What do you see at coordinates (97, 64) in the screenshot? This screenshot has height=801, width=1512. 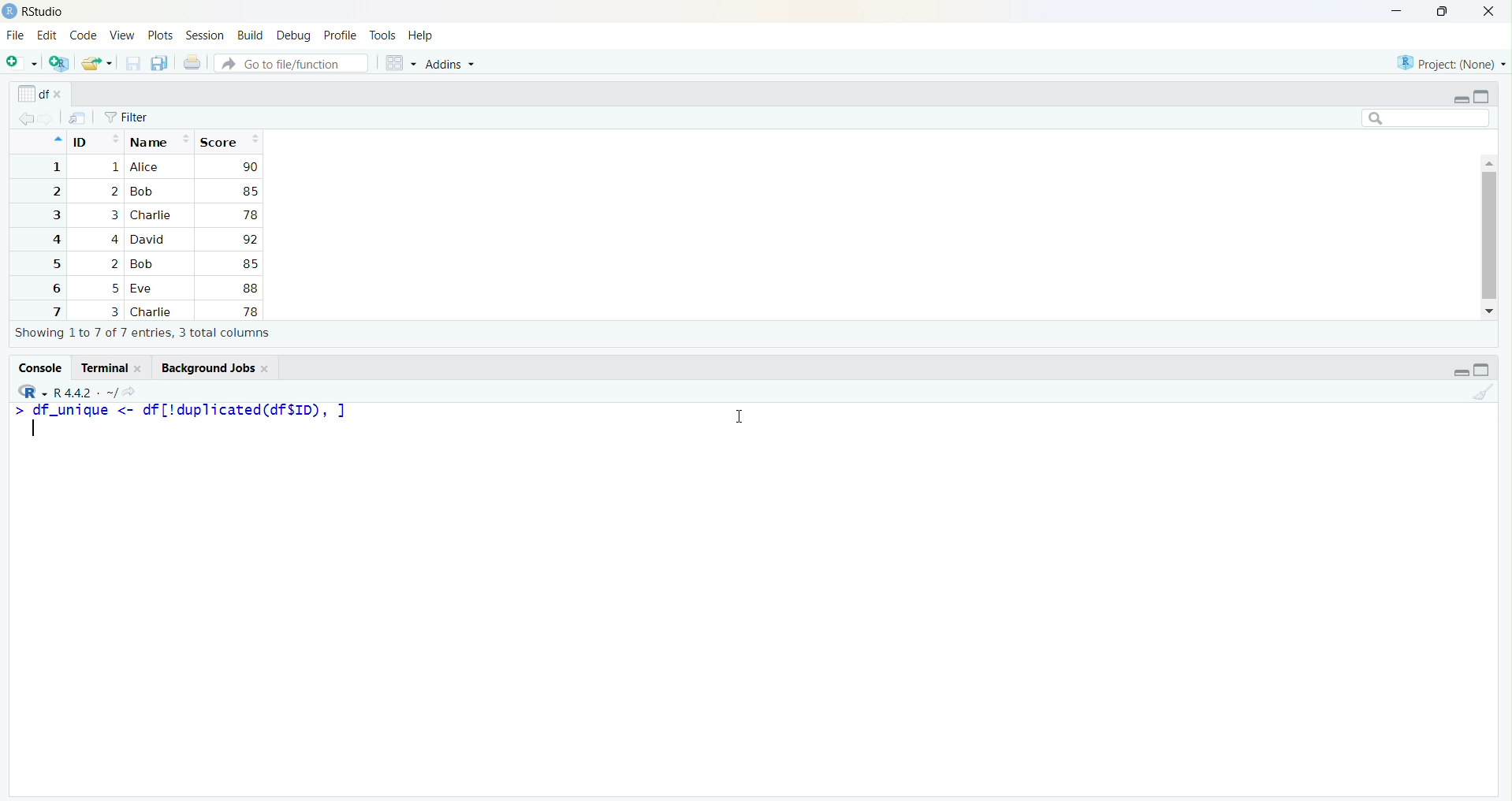 I see `open file` at bounding box center [97, 64].